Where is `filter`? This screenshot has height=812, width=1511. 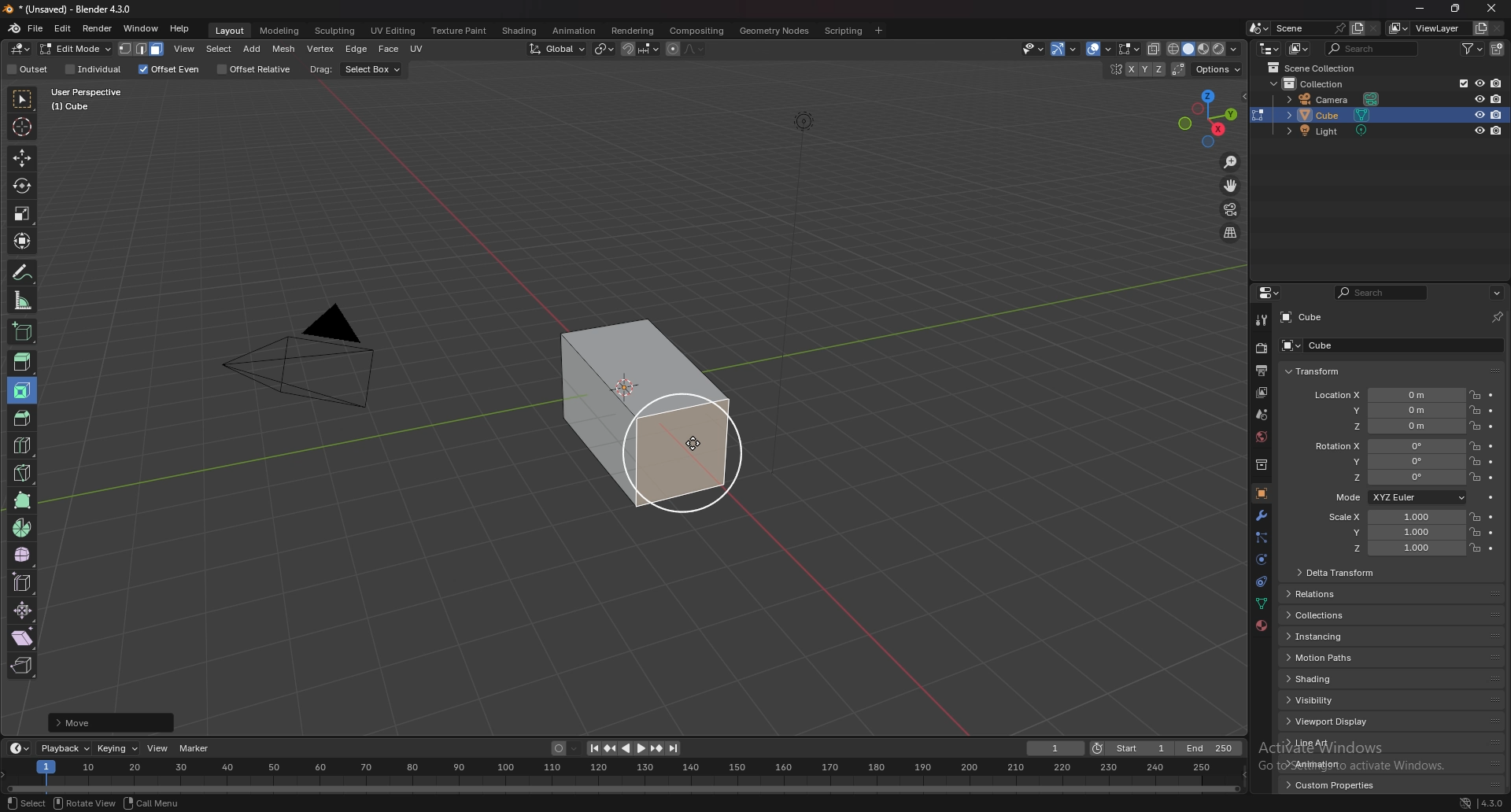
filter is located at coordinates (1471, 49).